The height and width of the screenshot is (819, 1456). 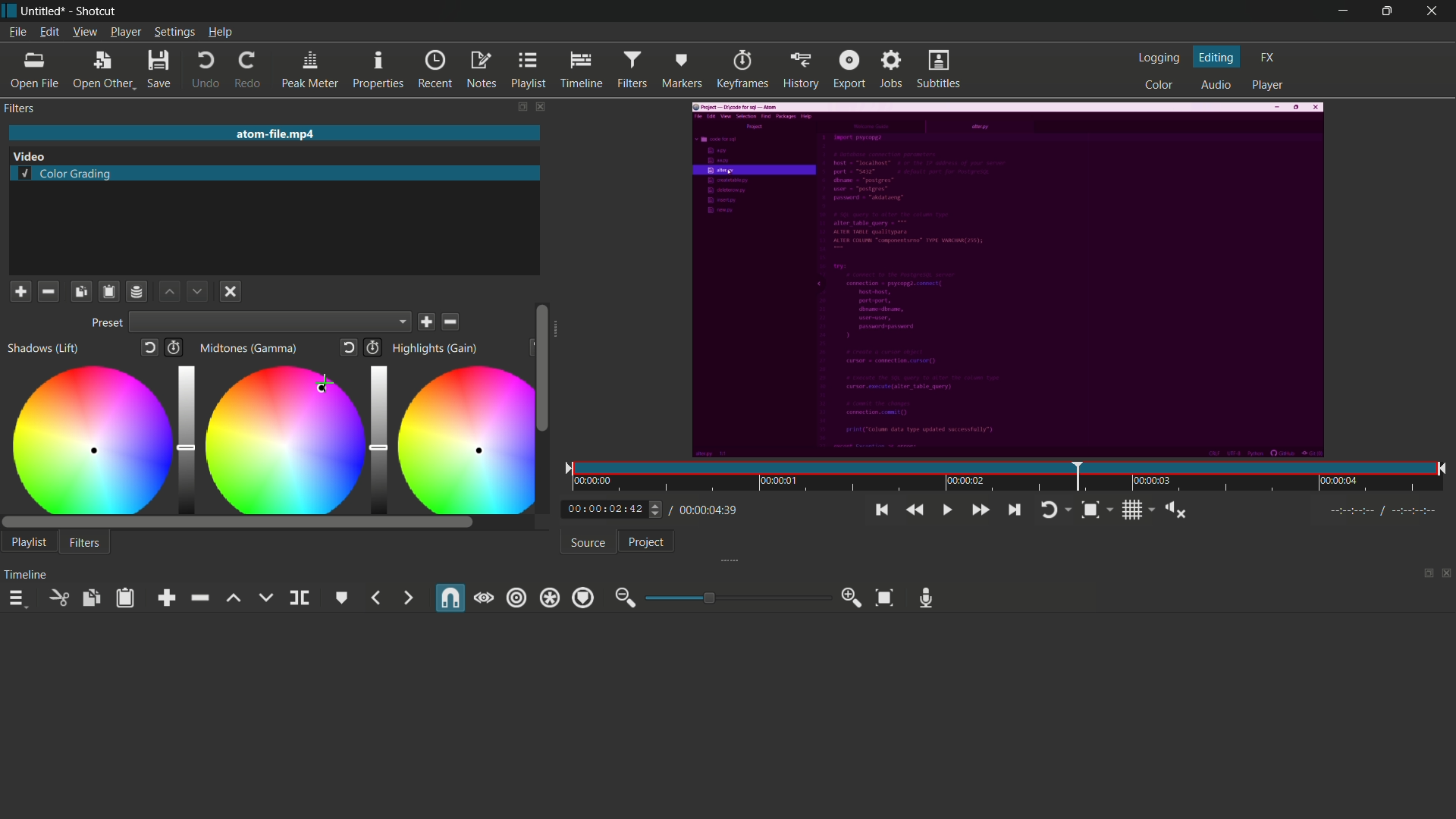 I want to click on append, so click(x=170, y=598).